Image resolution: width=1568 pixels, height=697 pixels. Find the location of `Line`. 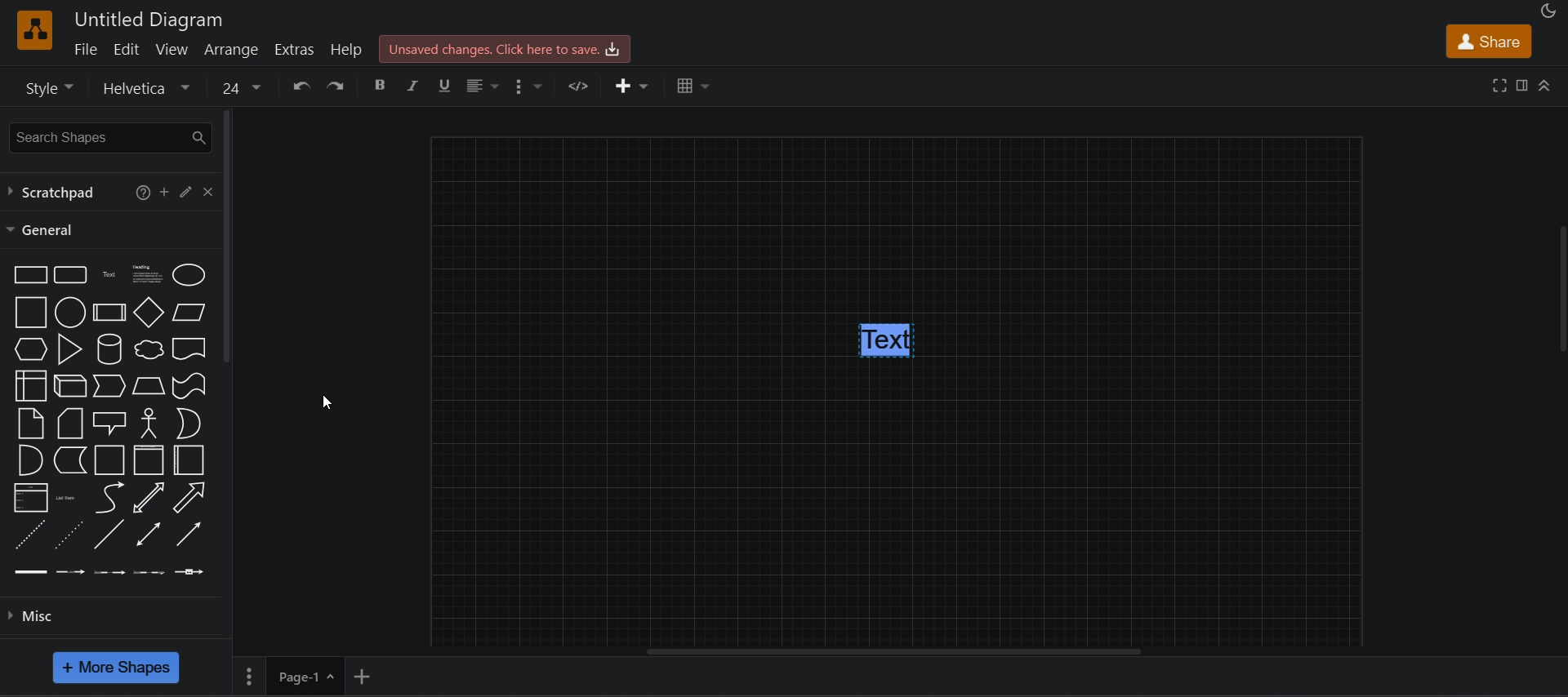

Line is located at coordinates (109, 534).